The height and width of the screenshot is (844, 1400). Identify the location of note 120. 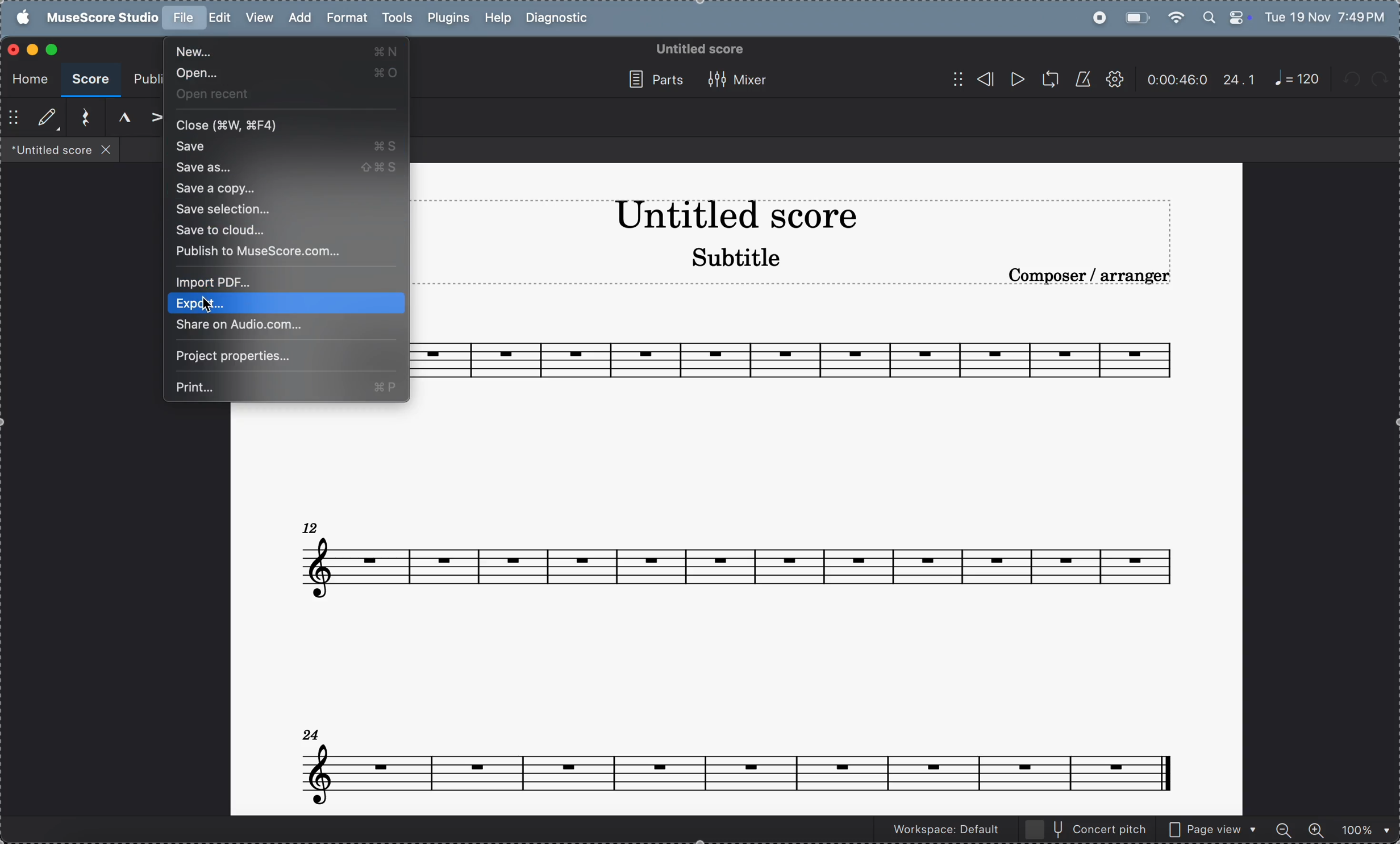
(1297, 80).